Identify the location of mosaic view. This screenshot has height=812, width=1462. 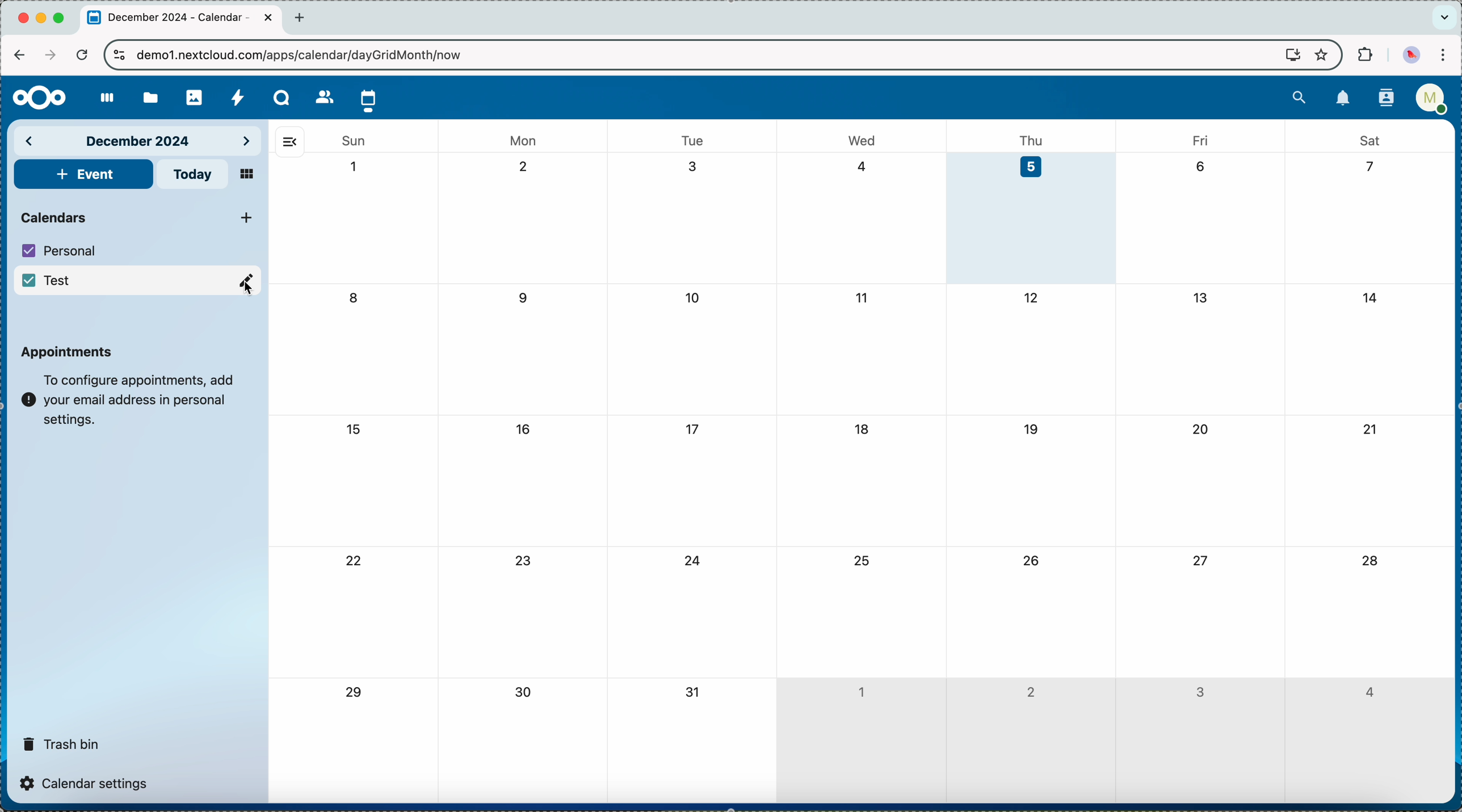
(247, 175).